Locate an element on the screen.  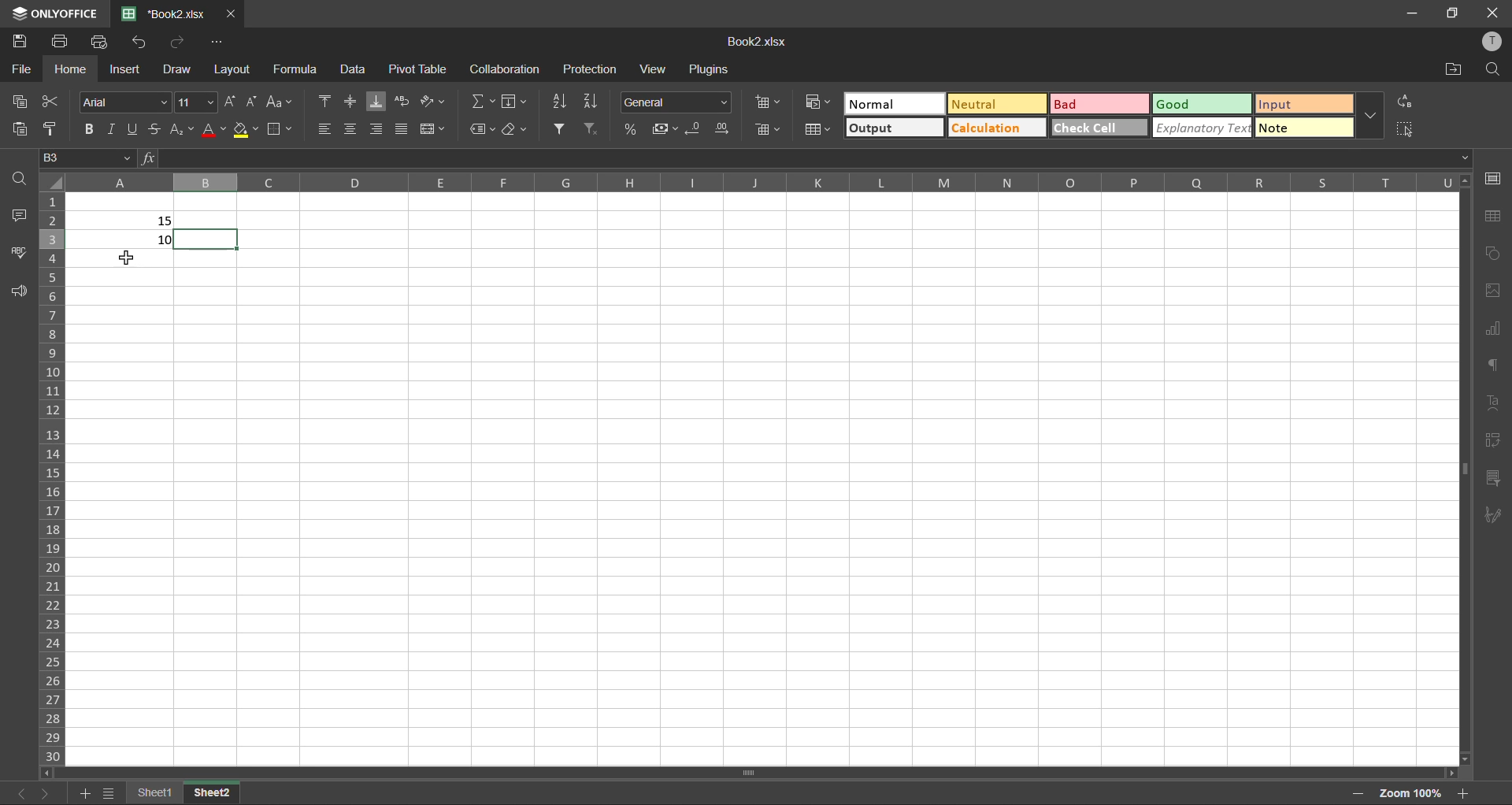
explanatory text is located at coordinates (1202, 127).